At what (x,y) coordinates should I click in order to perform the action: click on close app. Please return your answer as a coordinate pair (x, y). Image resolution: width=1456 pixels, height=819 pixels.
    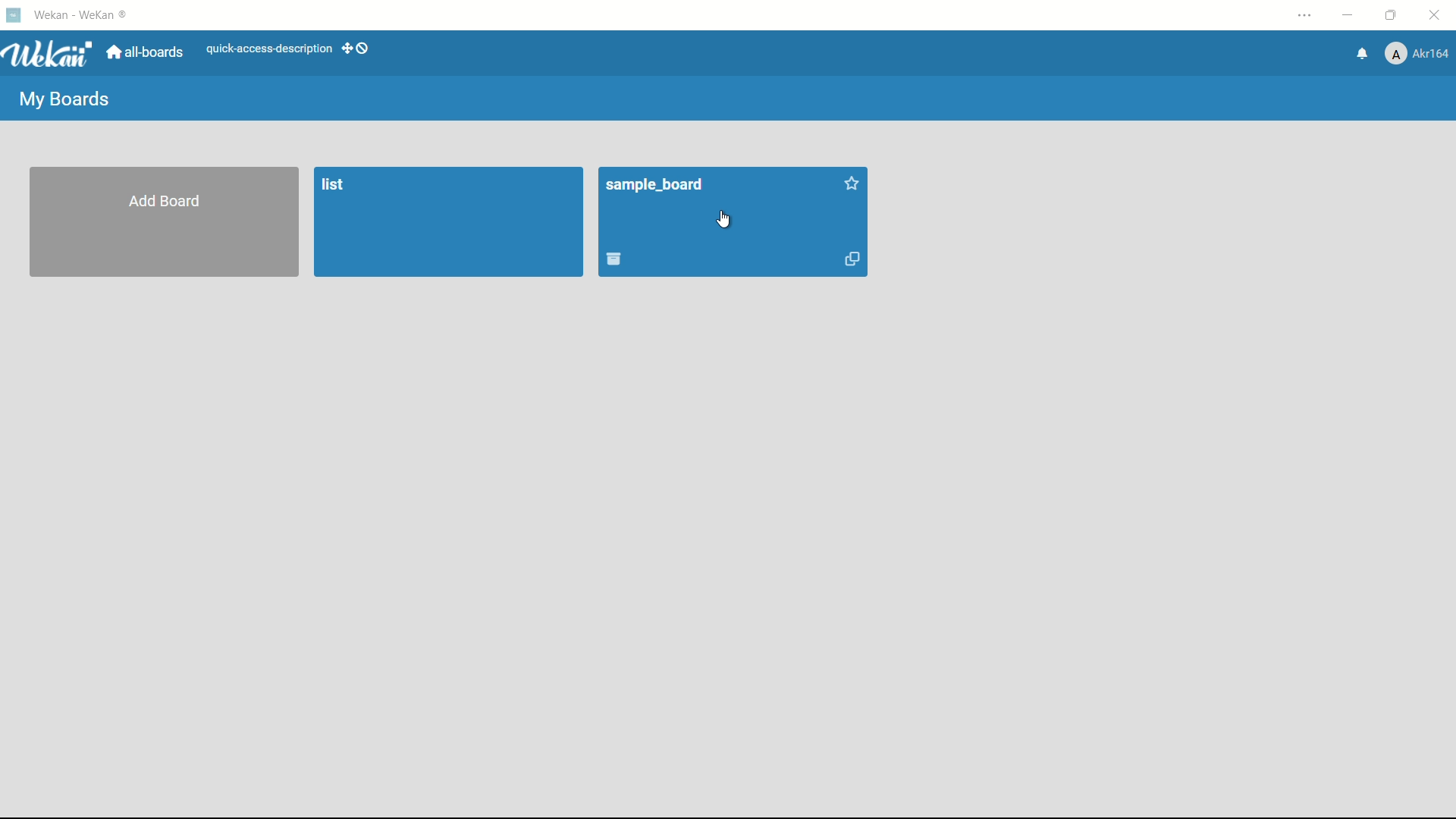
    Looking at the image, I should click on (1437, 15).